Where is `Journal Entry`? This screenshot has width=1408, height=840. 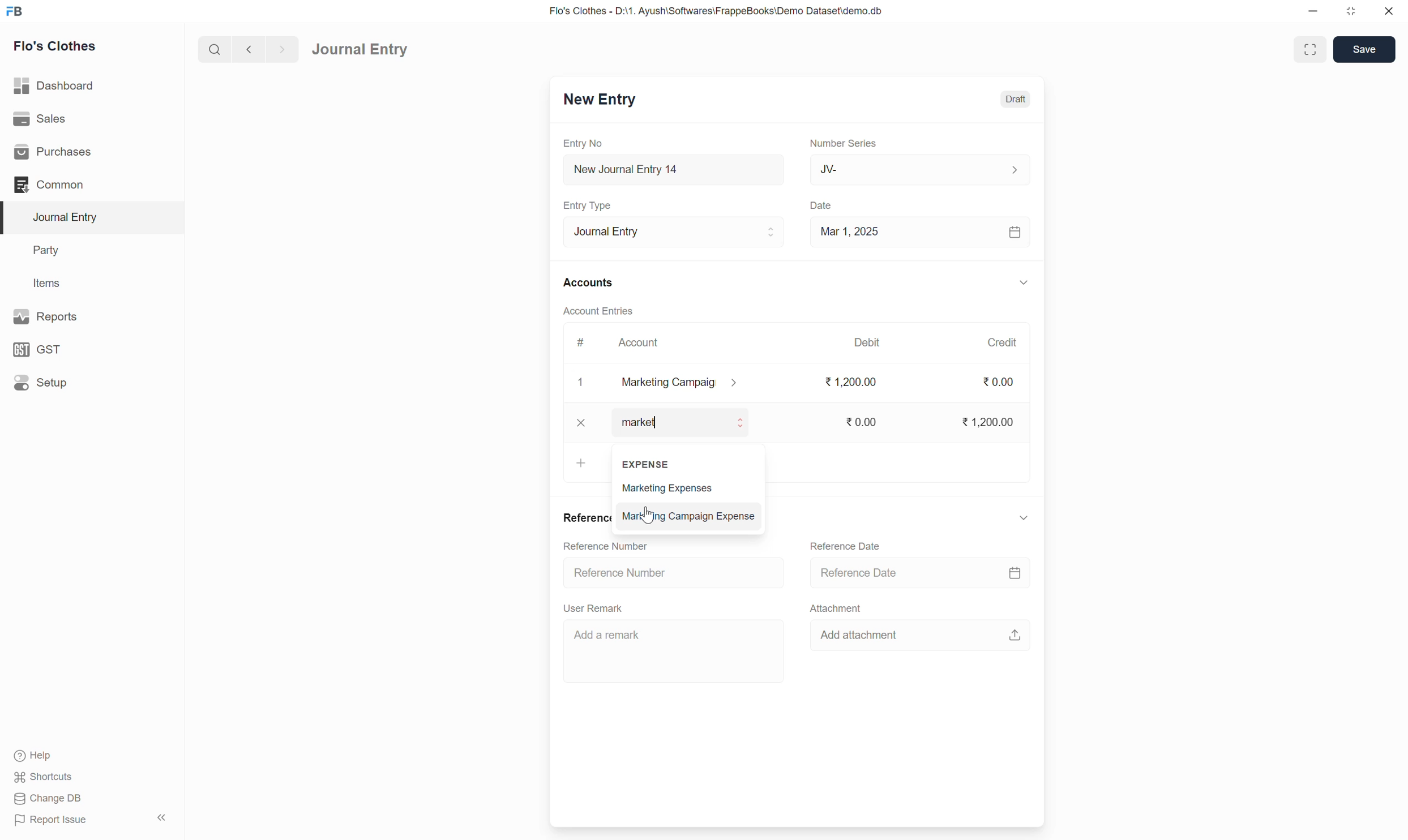 Journal Entry is located at coordinates (70, 217).